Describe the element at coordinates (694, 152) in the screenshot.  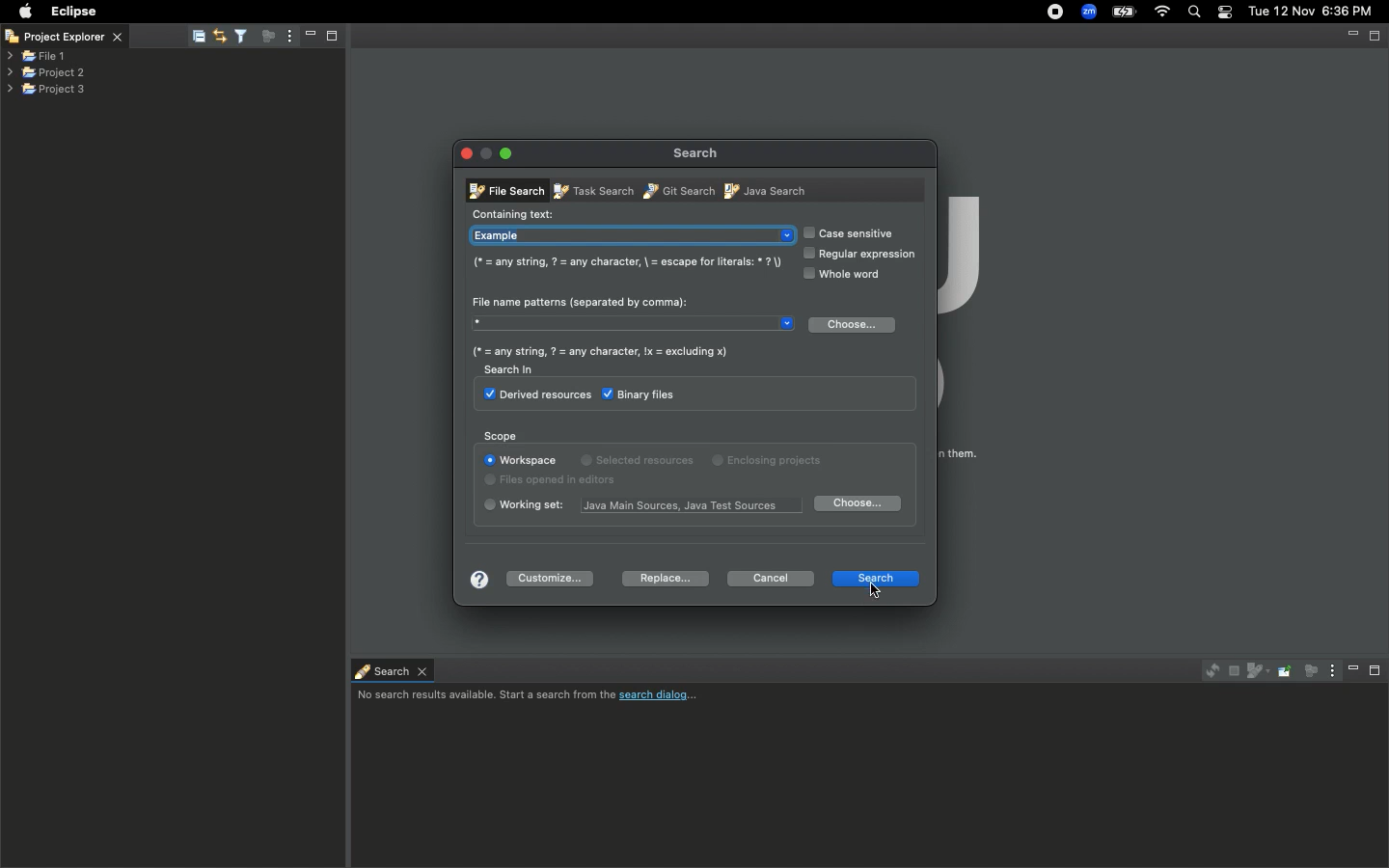
I see `Search` at that location.